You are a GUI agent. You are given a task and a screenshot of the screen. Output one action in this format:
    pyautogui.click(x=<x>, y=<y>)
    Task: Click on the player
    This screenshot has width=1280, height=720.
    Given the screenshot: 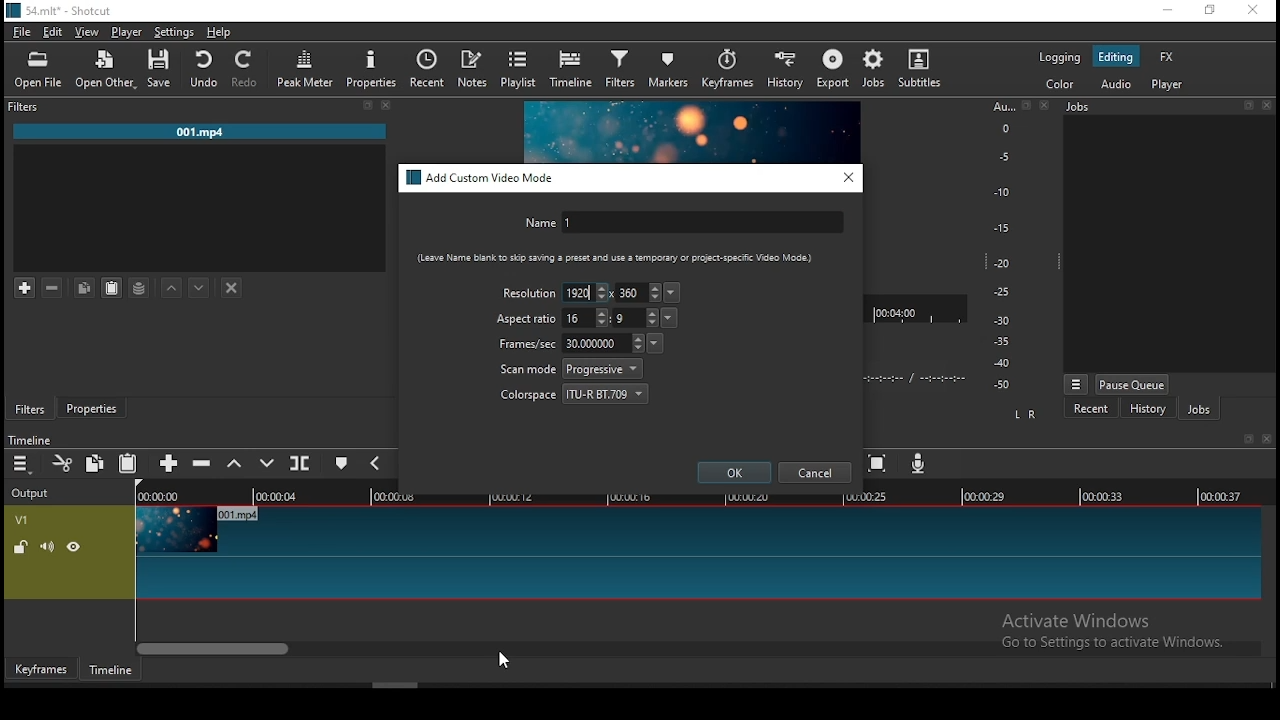 What is the action you would take?
    pyautogui.click(x=1170, y=85)
    